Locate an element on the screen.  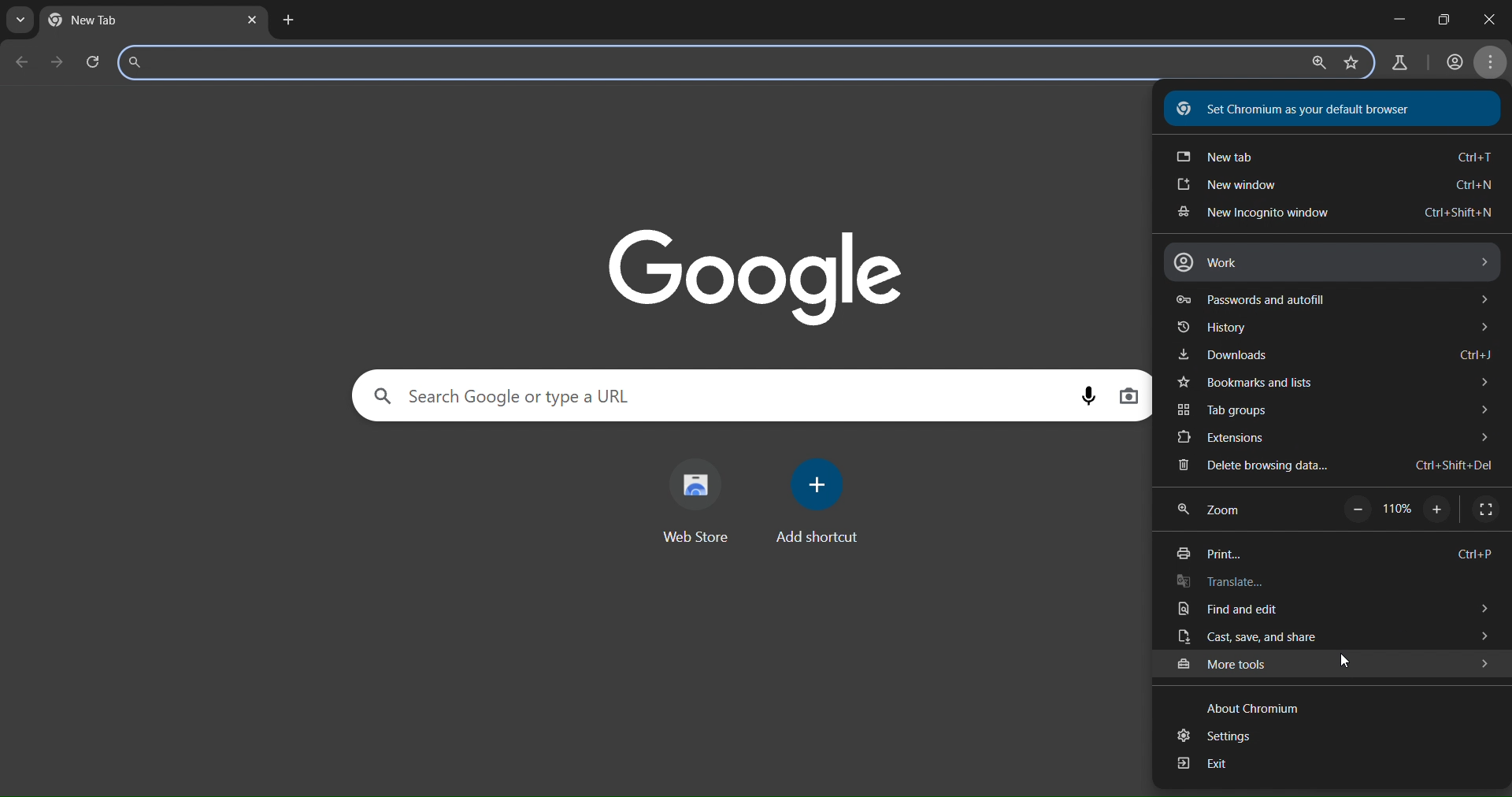
bookmark is located at coordinates (1351, 63).